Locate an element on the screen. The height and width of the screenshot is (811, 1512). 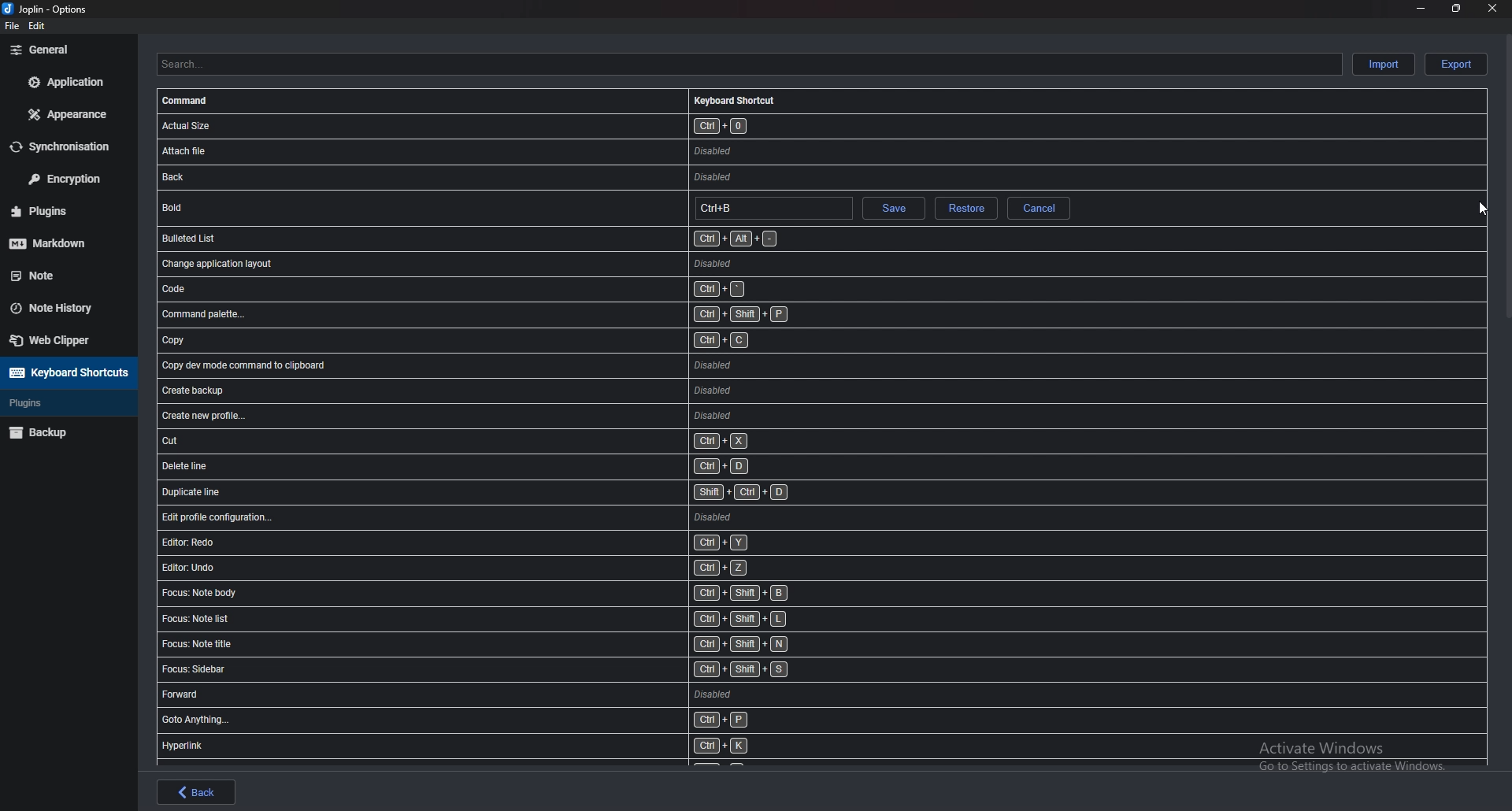
minimize is located at coordinates (1421, 9).